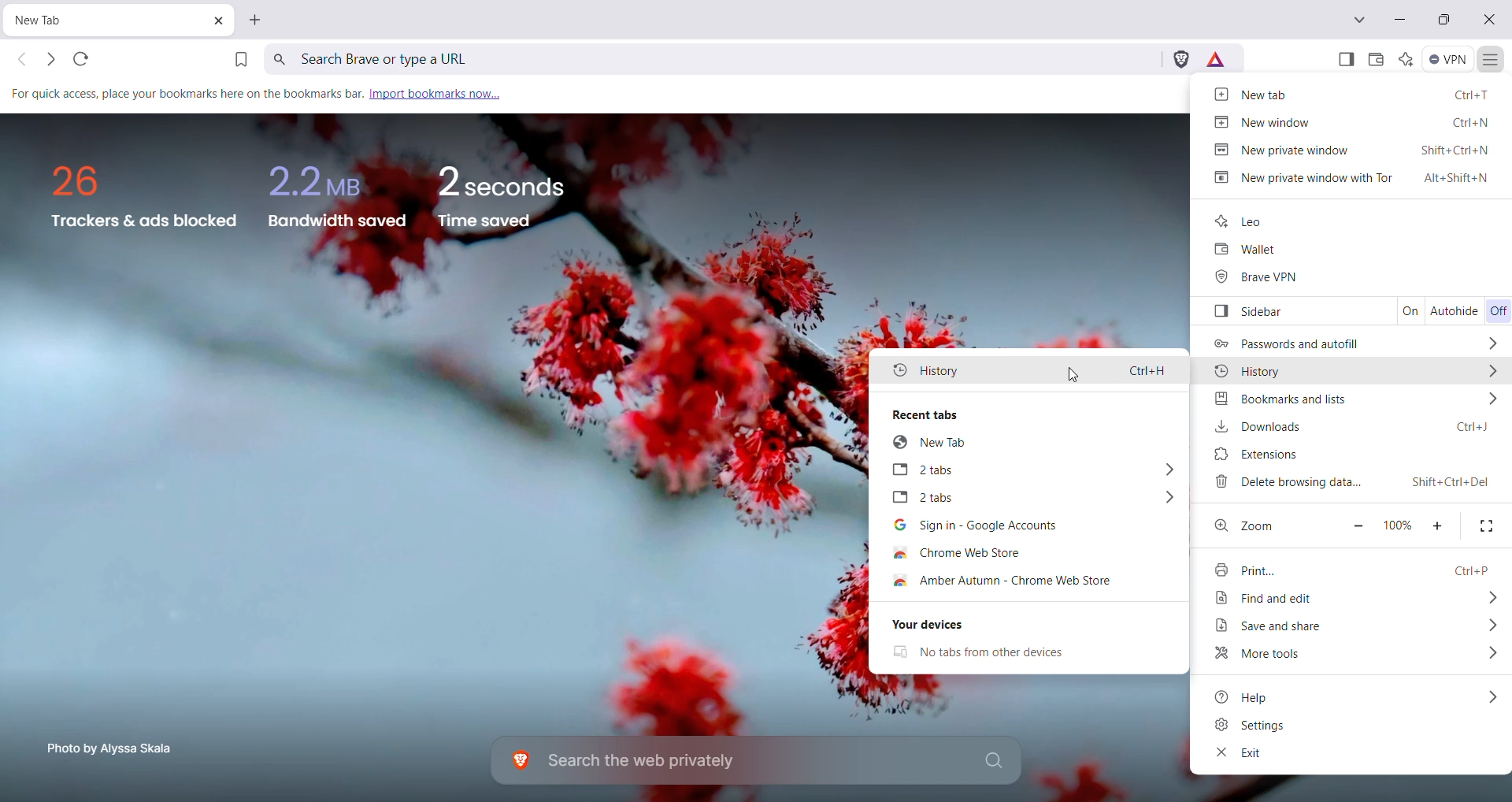 This screenshot has width=1512, height=802. Describe the element at coordinates (138, 196) in the screenshot. I see `26 Trackers & ads blocked` at that location.